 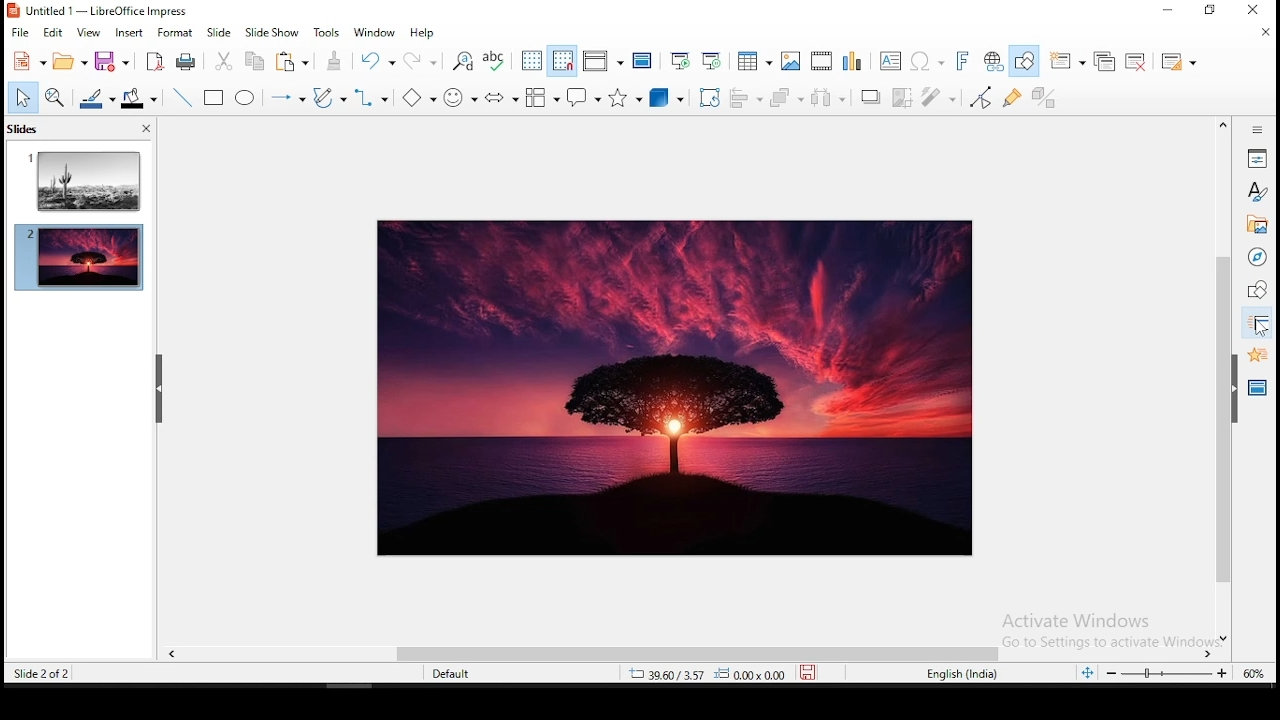 What do you see at coordinates (79, 259) in the screenshot?
I see `slide2 ` at bounding box center [79, 259].